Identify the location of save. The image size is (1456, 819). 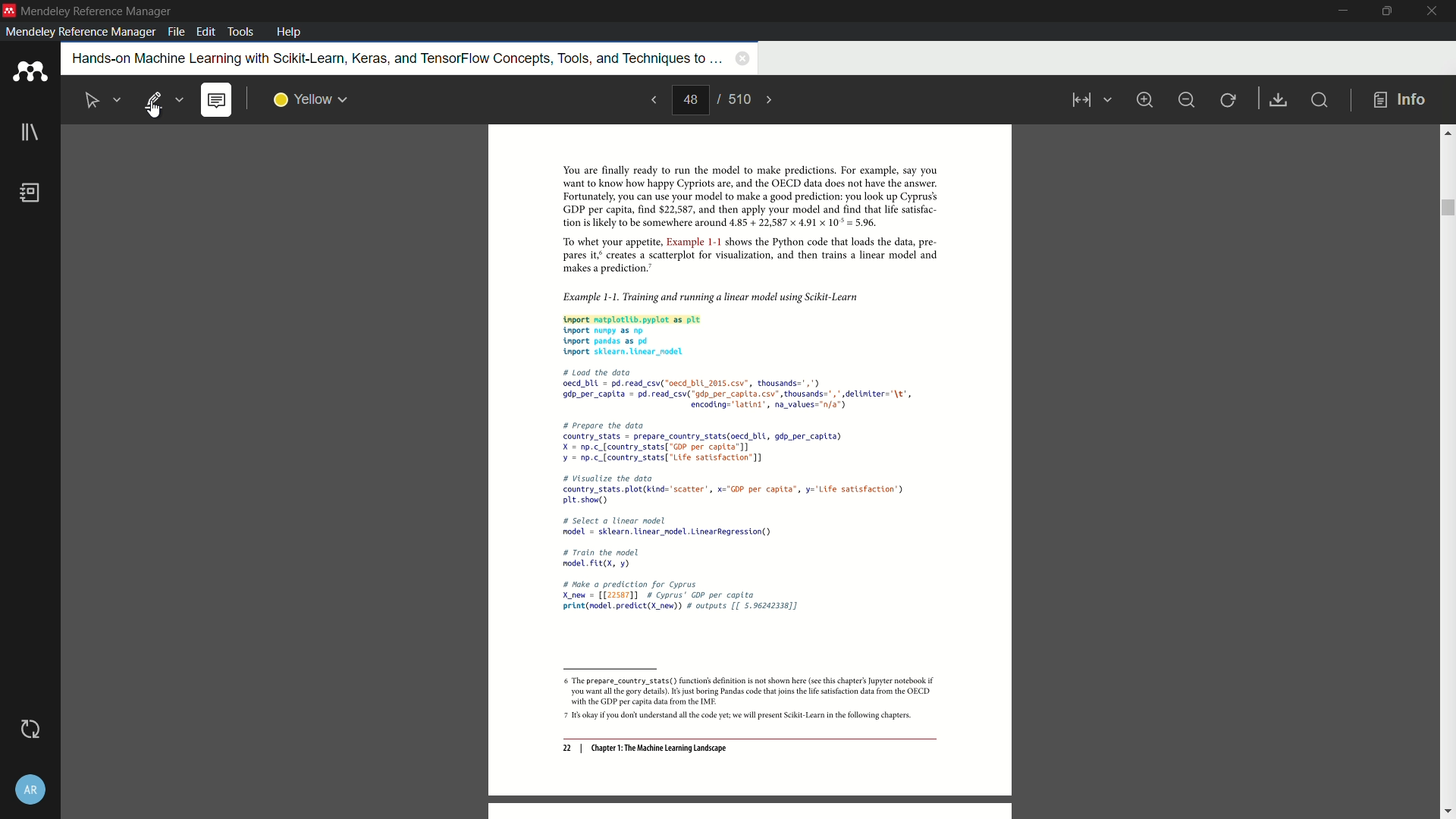
(1279, 101).